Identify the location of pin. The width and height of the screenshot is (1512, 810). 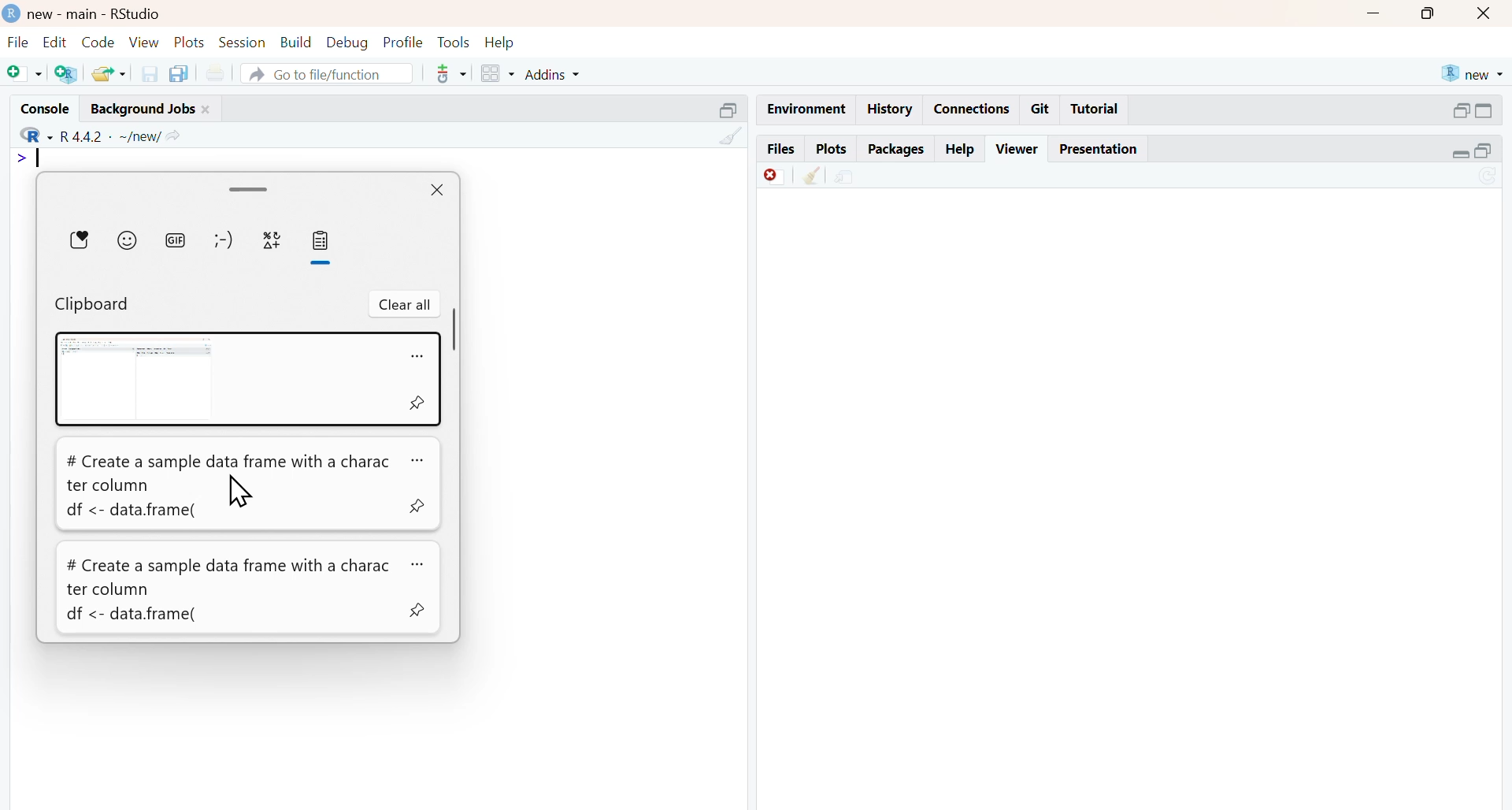
(418, 611).